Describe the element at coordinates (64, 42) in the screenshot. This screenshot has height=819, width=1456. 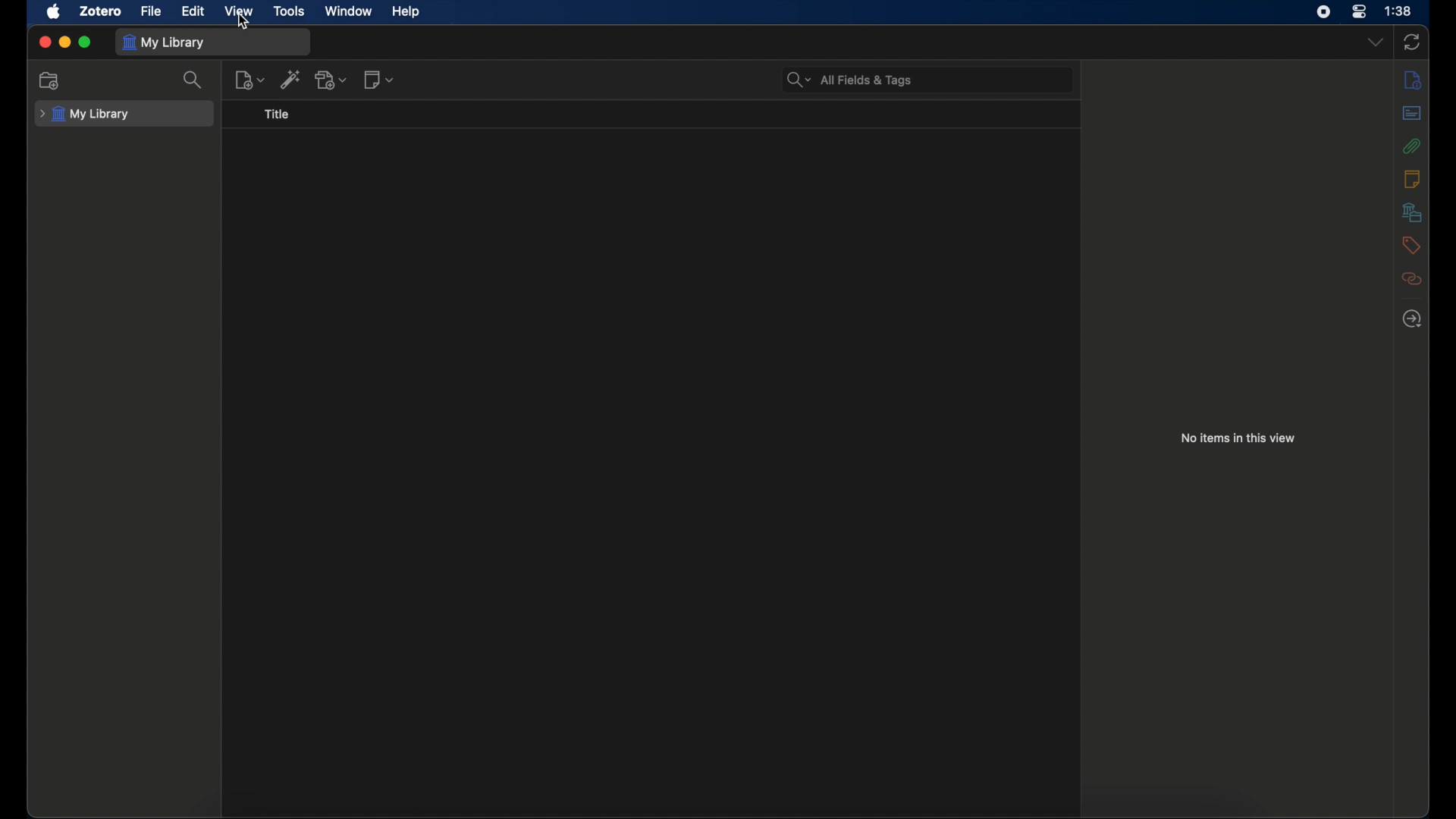
I see `minimize` at that location.